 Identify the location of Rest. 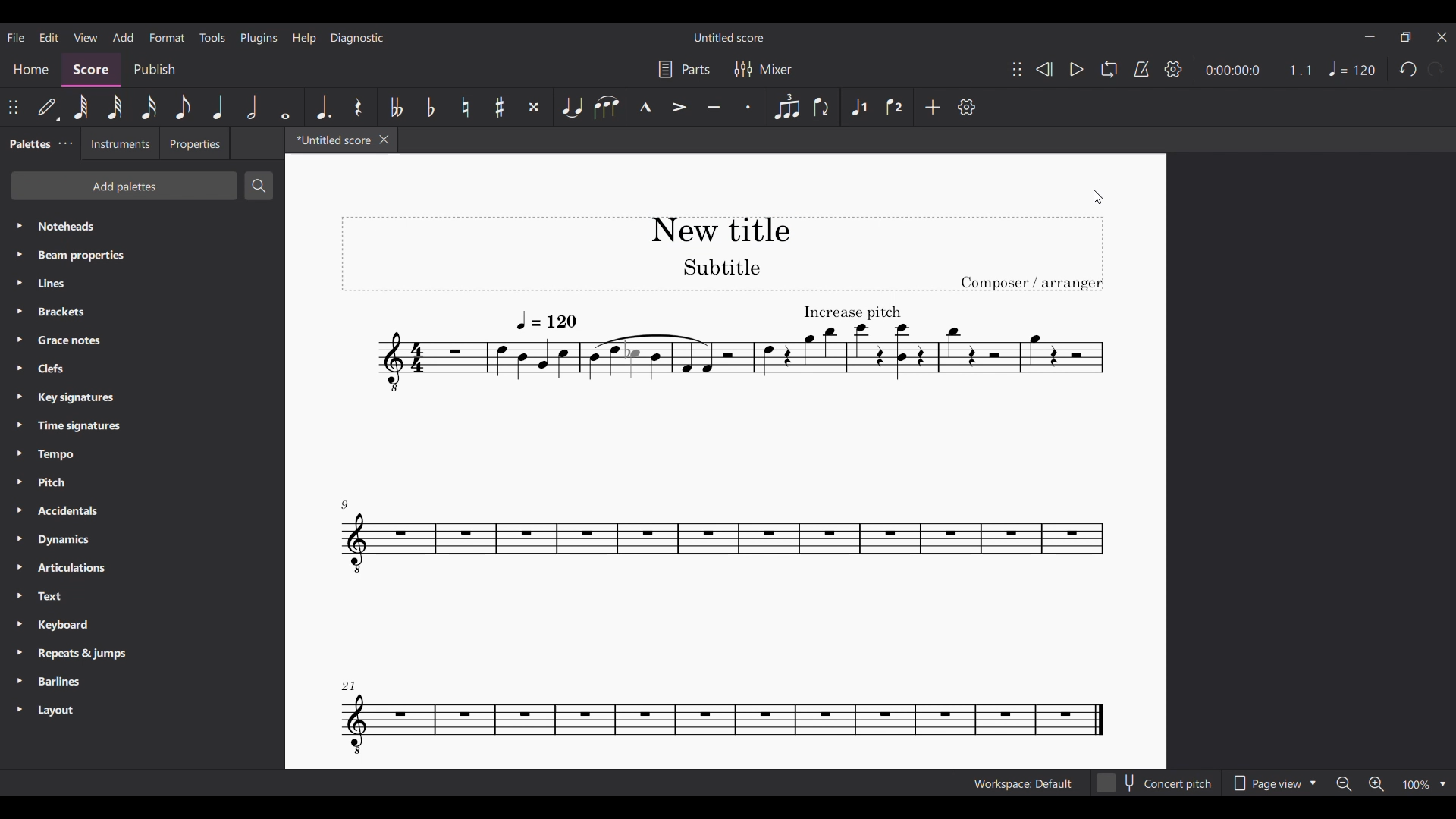
(359, 107).